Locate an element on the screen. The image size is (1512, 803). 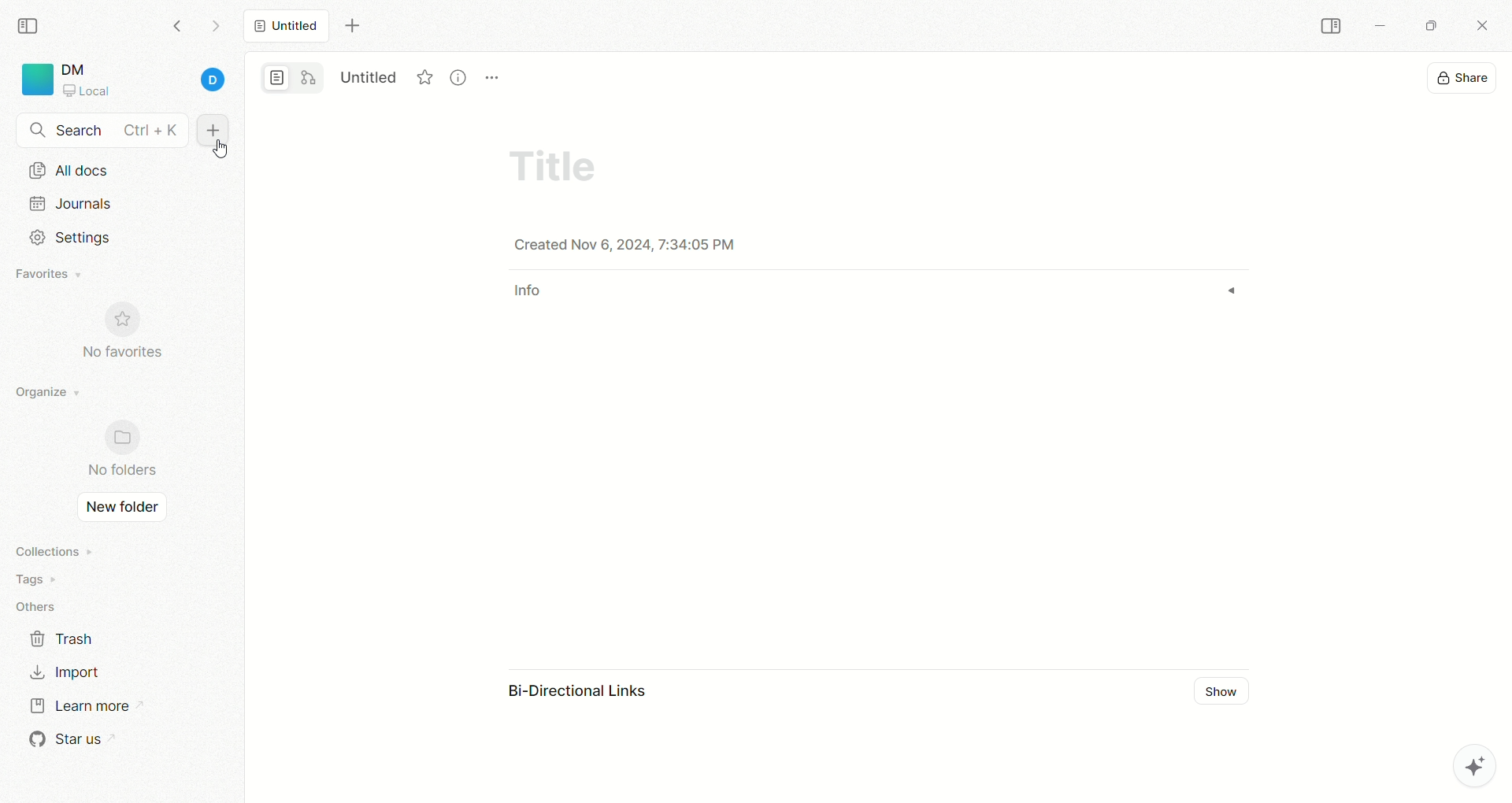
no favorites is located at coordinates (130, 340).